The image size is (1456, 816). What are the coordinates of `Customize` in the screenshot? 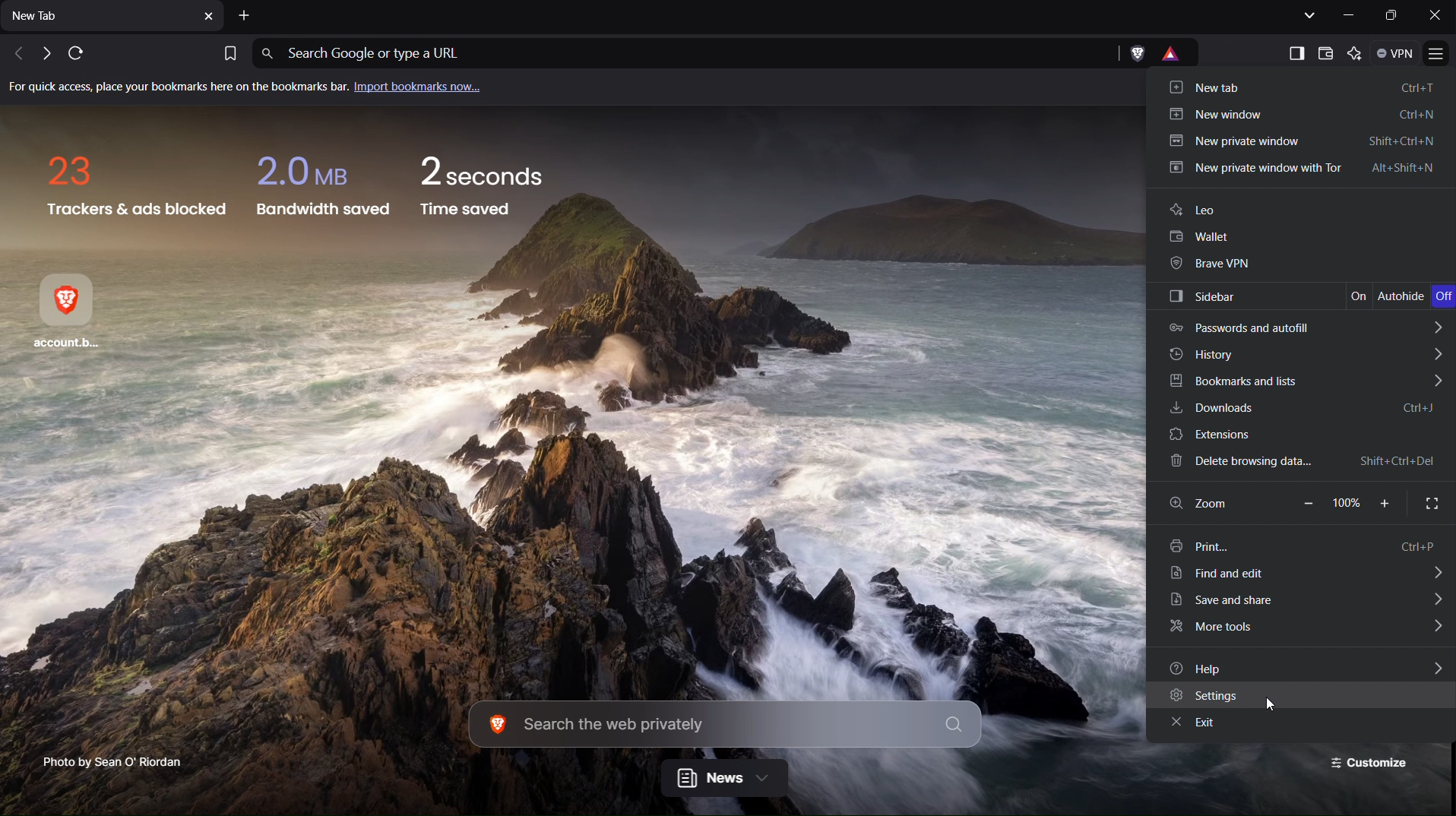 It's located at (1372, 763).